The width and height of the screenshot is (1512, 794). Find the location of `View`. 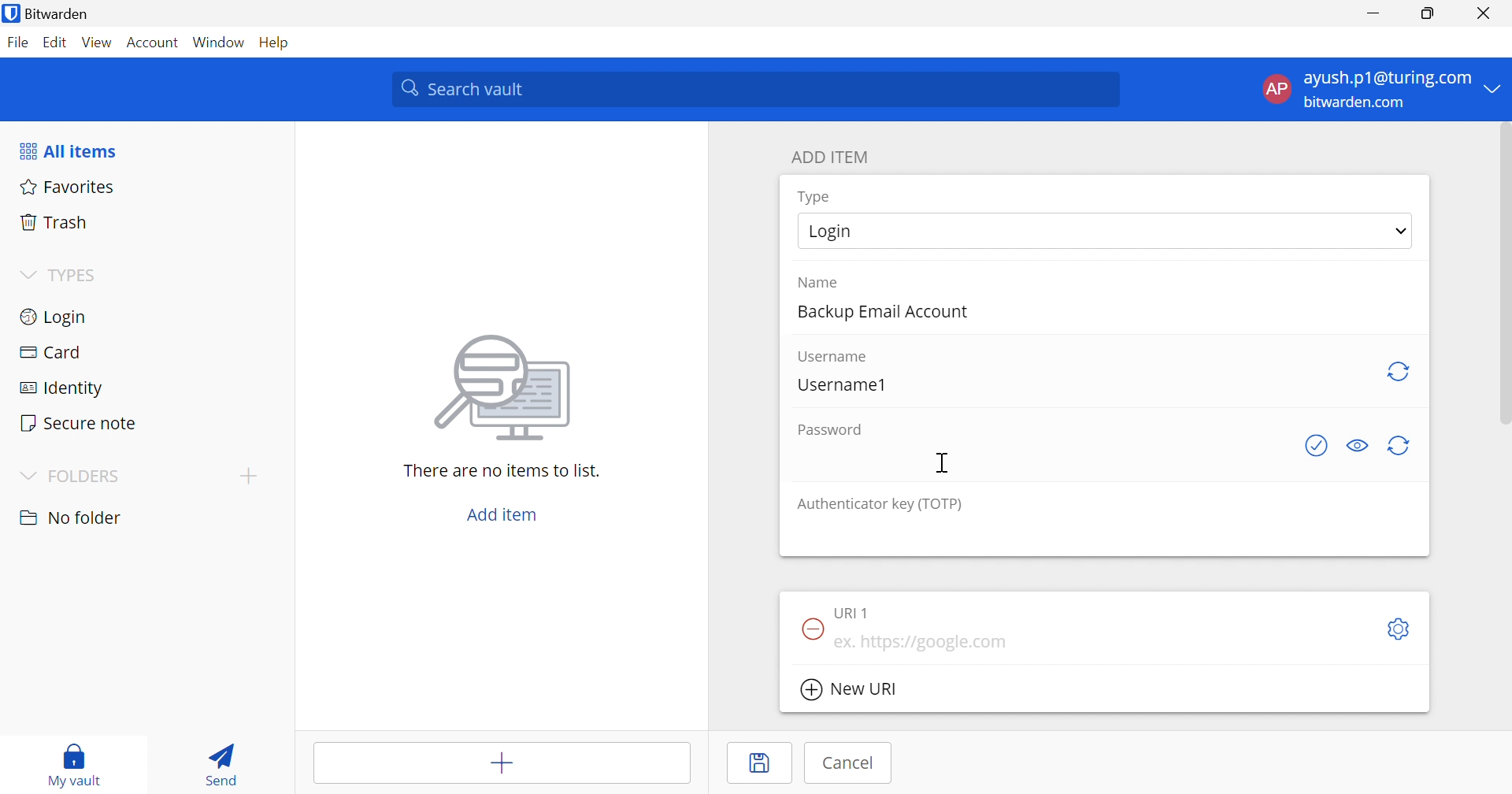

View is located at coordinates (98, 43).